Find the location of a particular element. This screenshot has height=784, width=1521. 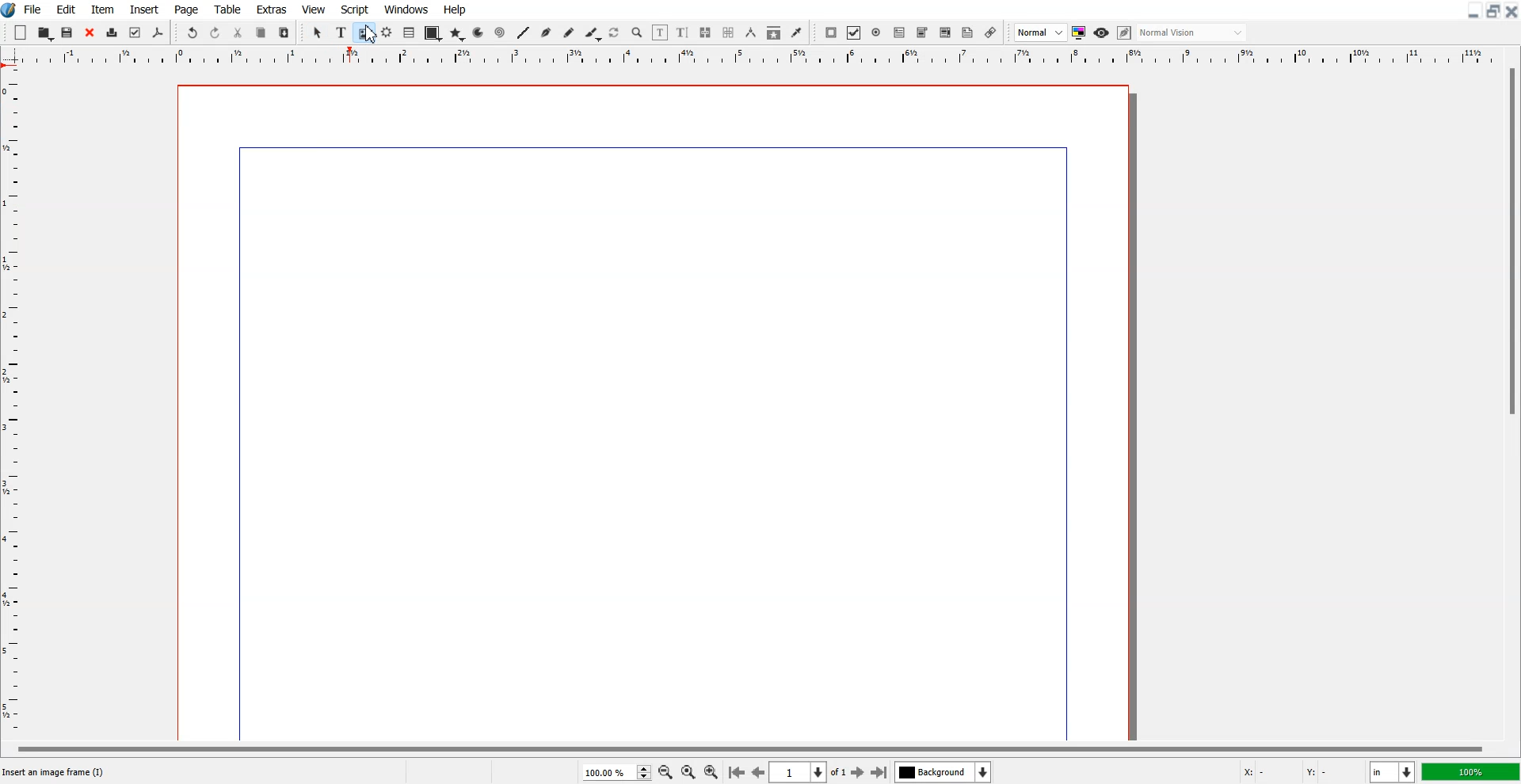

Toggler color management is located at coordinates (1079, 32).